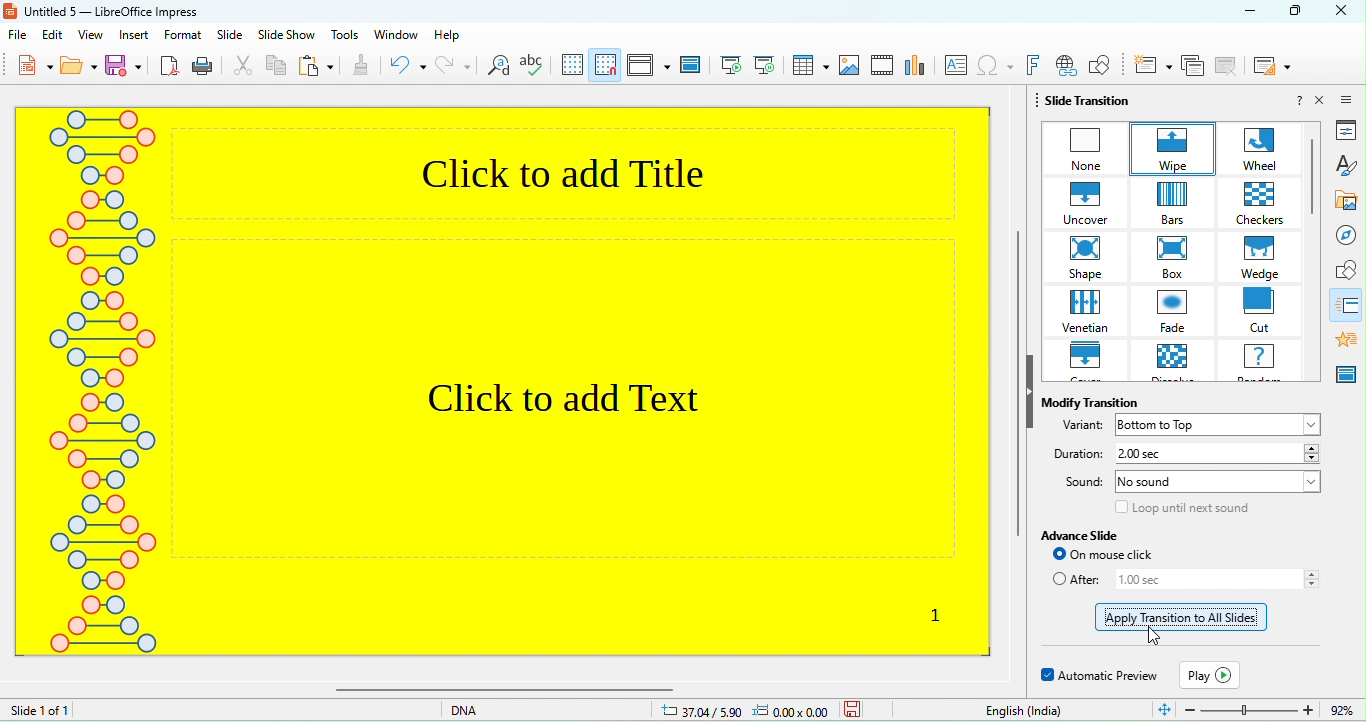 Image resolution: width=1366 pixels, height=722 pixels. What do you see at coordinates (1181, 363) in the screenshot?
I see `dissolve` at bounding box center [1181, 363].